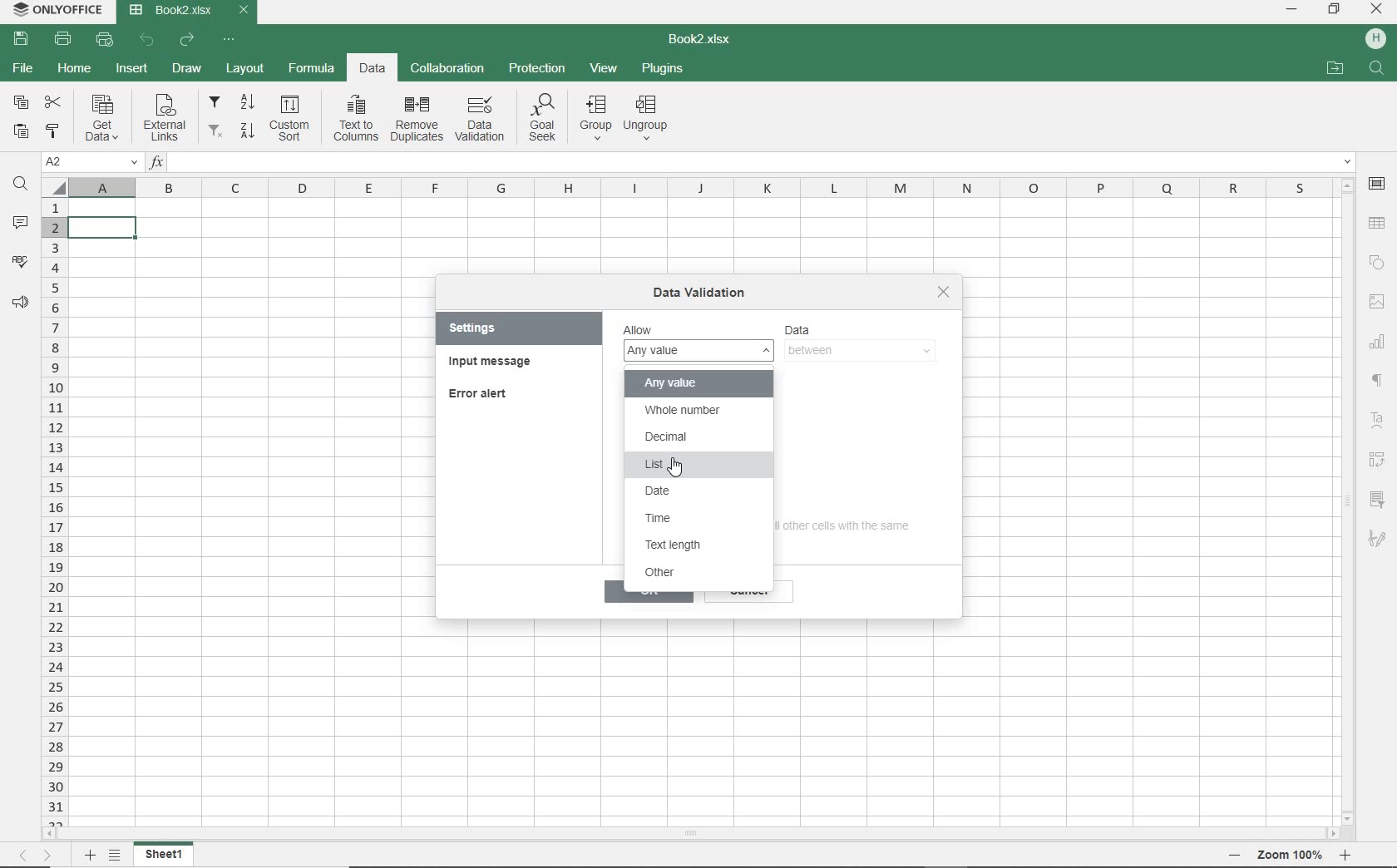  I want to click on close, so click(943, 292).